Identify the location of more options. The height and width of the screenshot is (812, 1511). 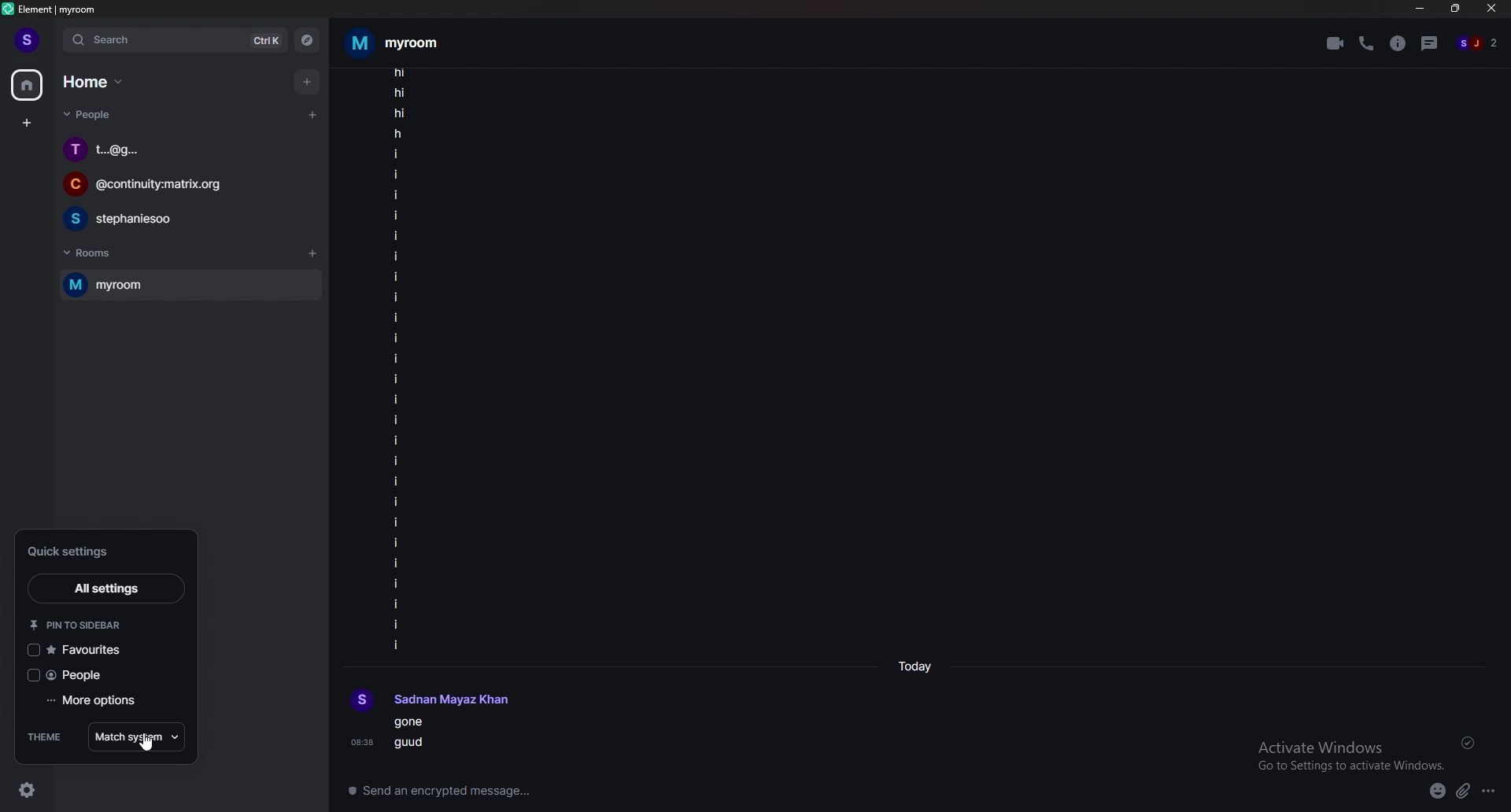
(98, 701).